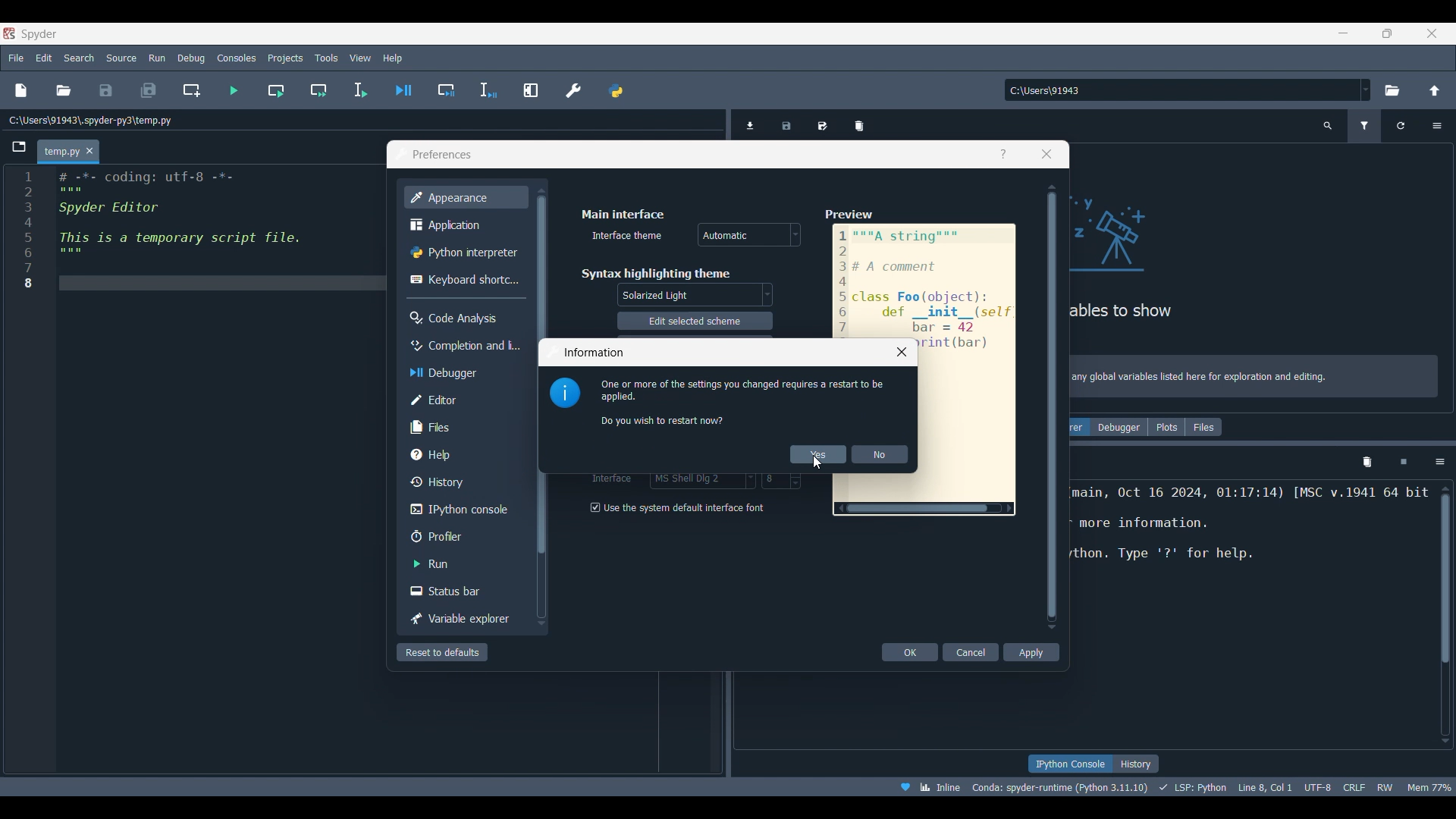  Describe the element at coordinates (327, 58) in the screenshot. I see `Tools menu` at that location.